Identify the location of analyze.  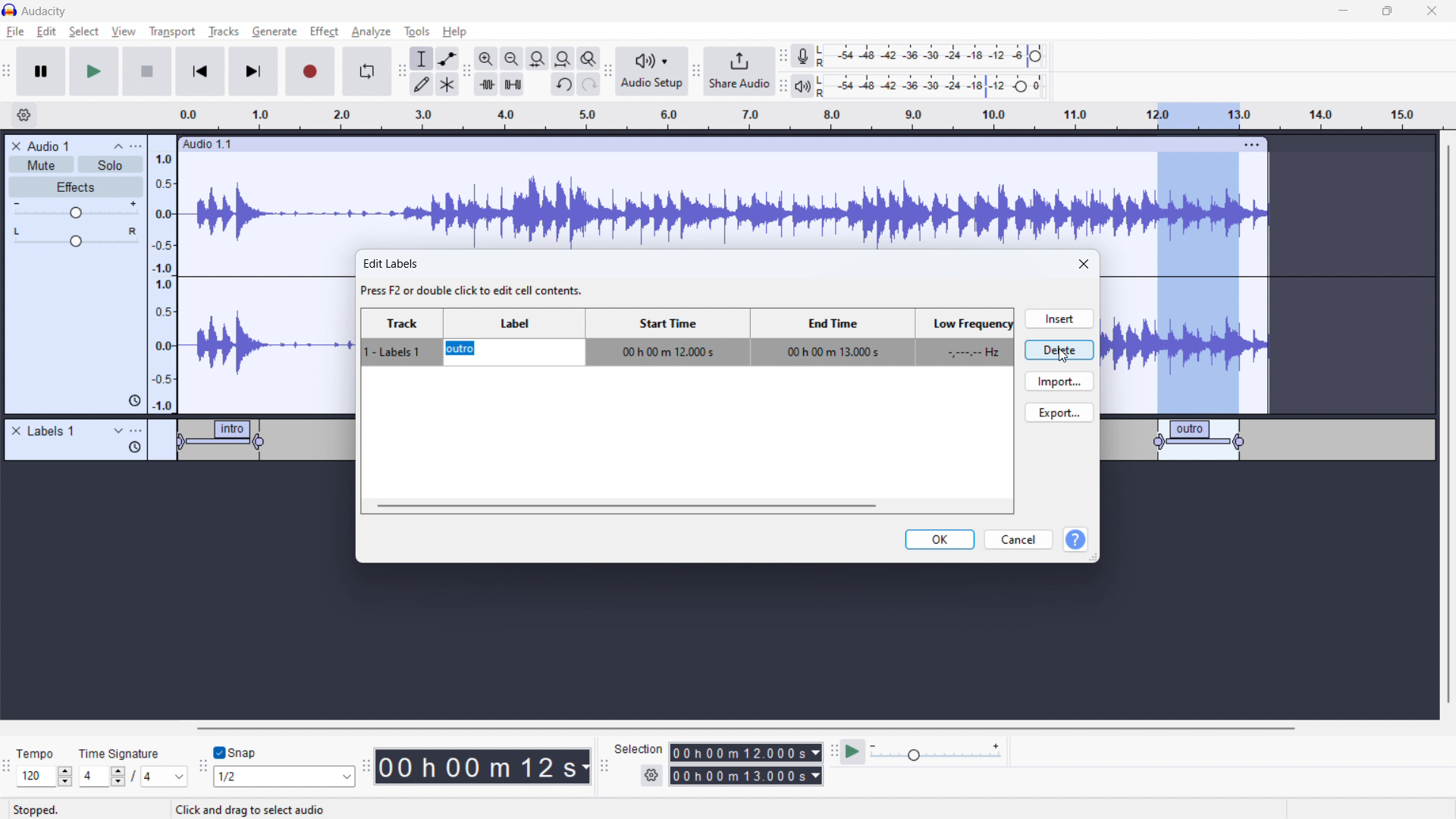
(369, 33).